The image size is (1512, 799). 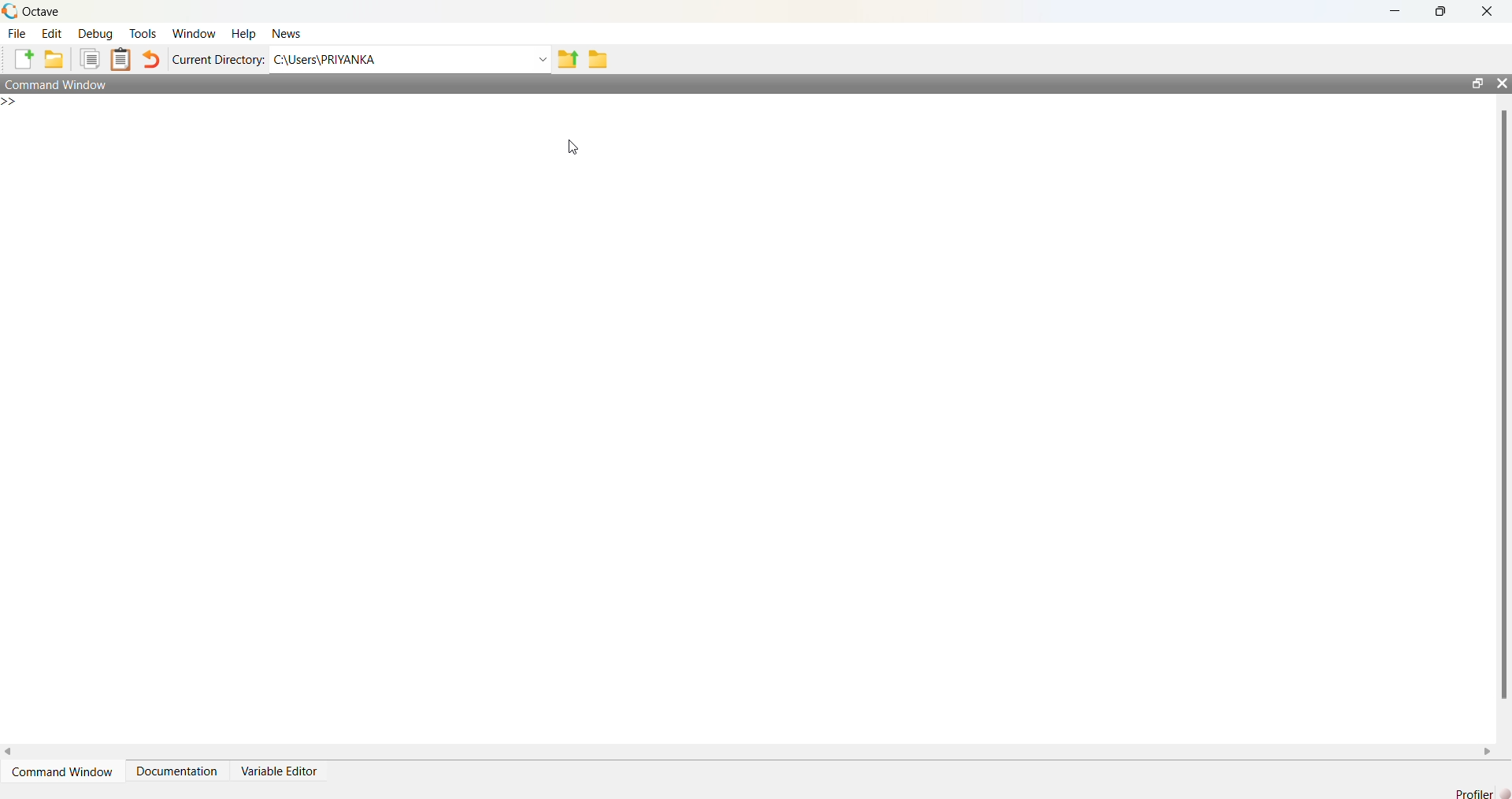 I want to click on Open an existing file in editor, so click(x=54, y=59).